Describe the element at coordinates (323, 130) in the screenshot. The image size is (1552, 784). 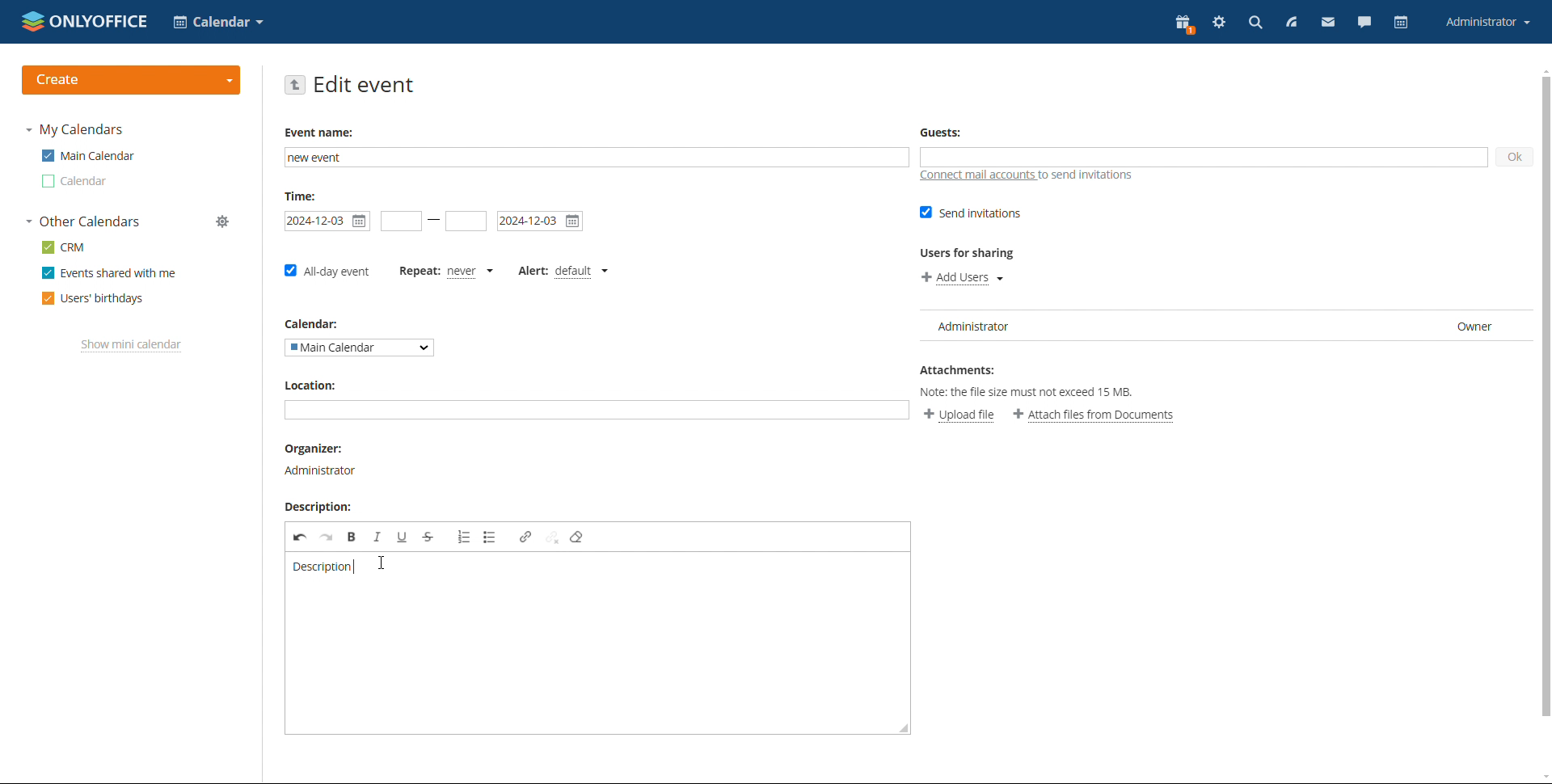
I see `Event name:` at that location.